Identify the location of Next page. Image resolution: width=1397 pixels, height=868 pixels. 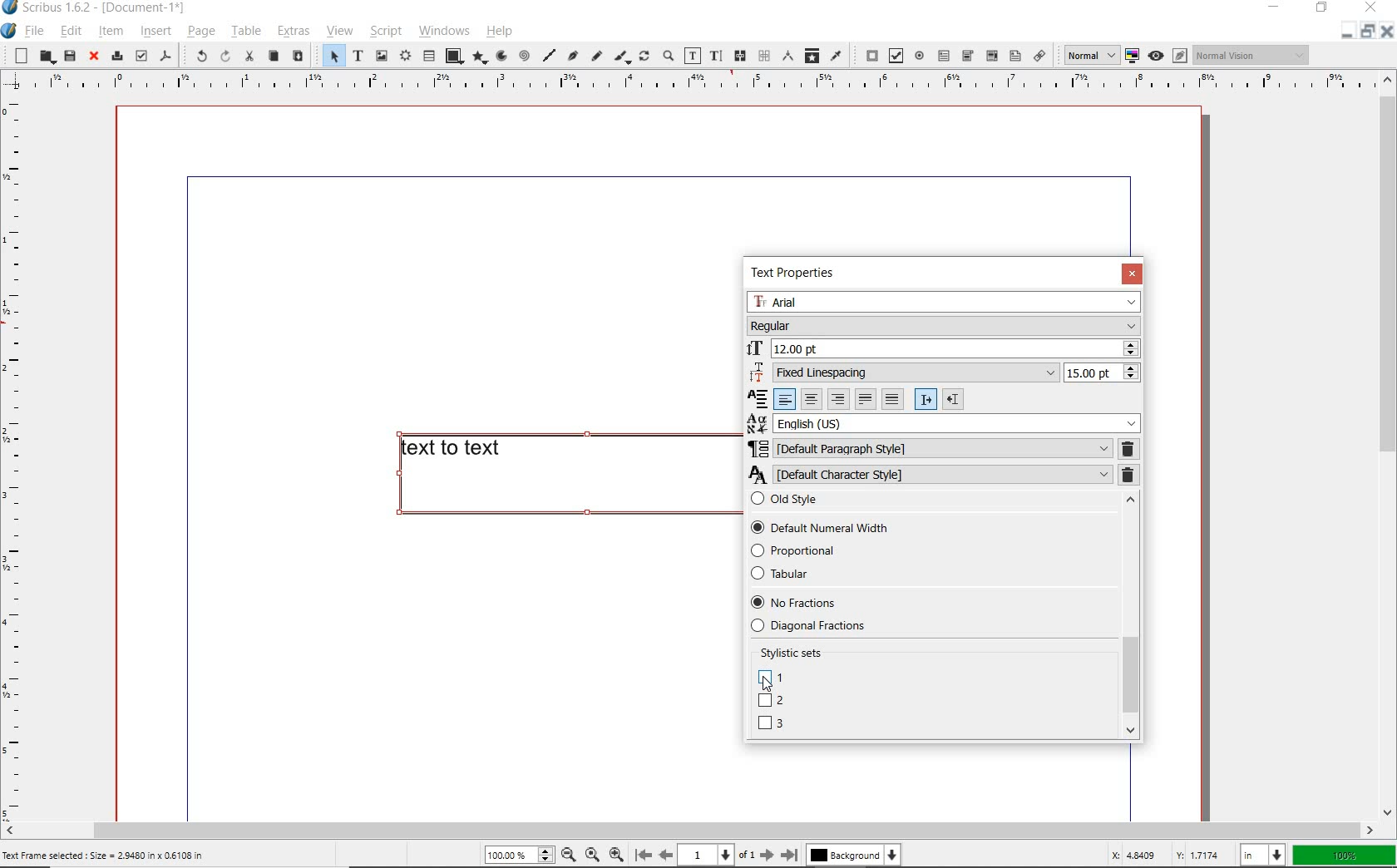
(766, 855).